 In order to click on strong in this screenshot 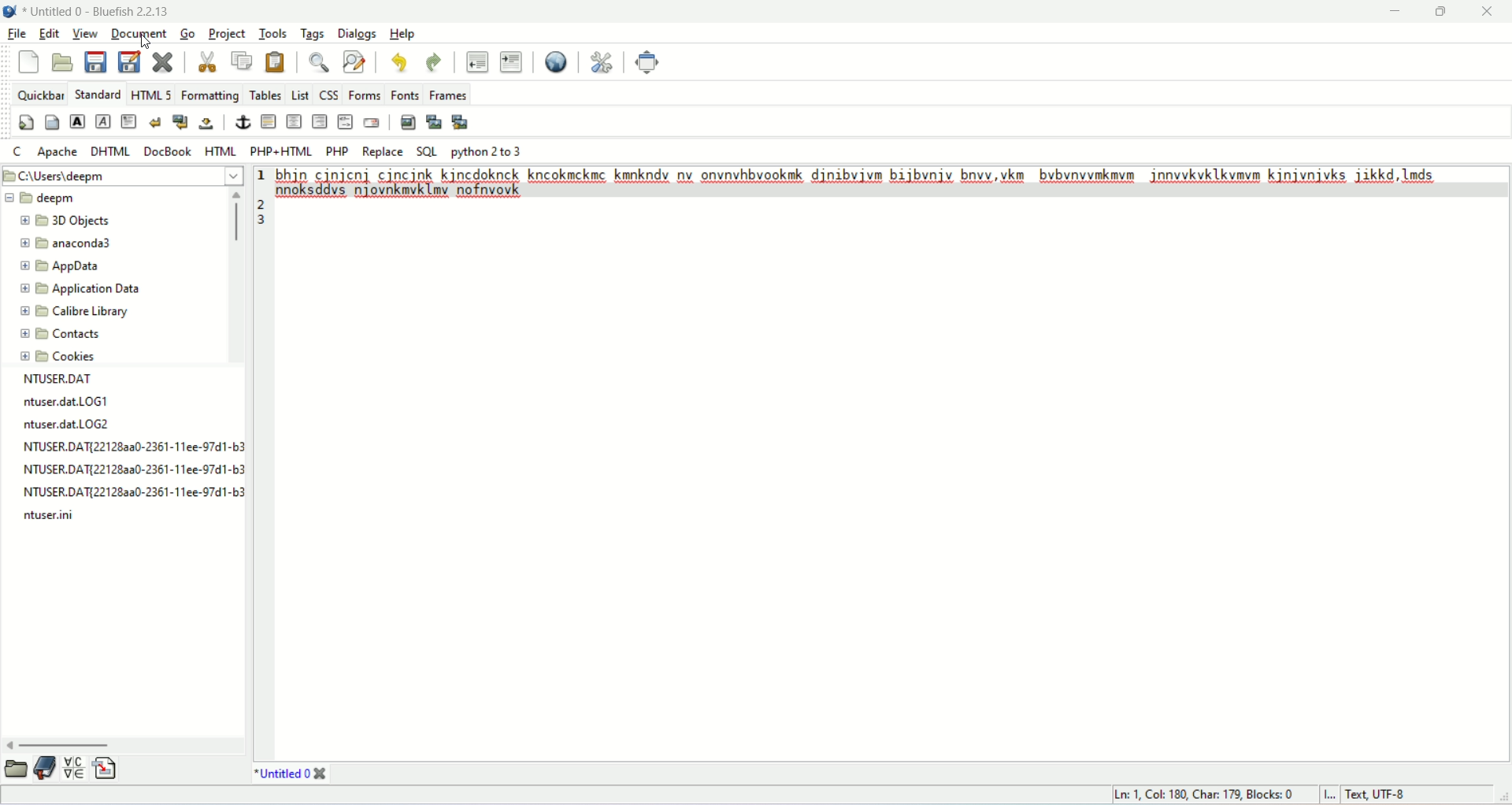, I will do `click(79, 124)`.